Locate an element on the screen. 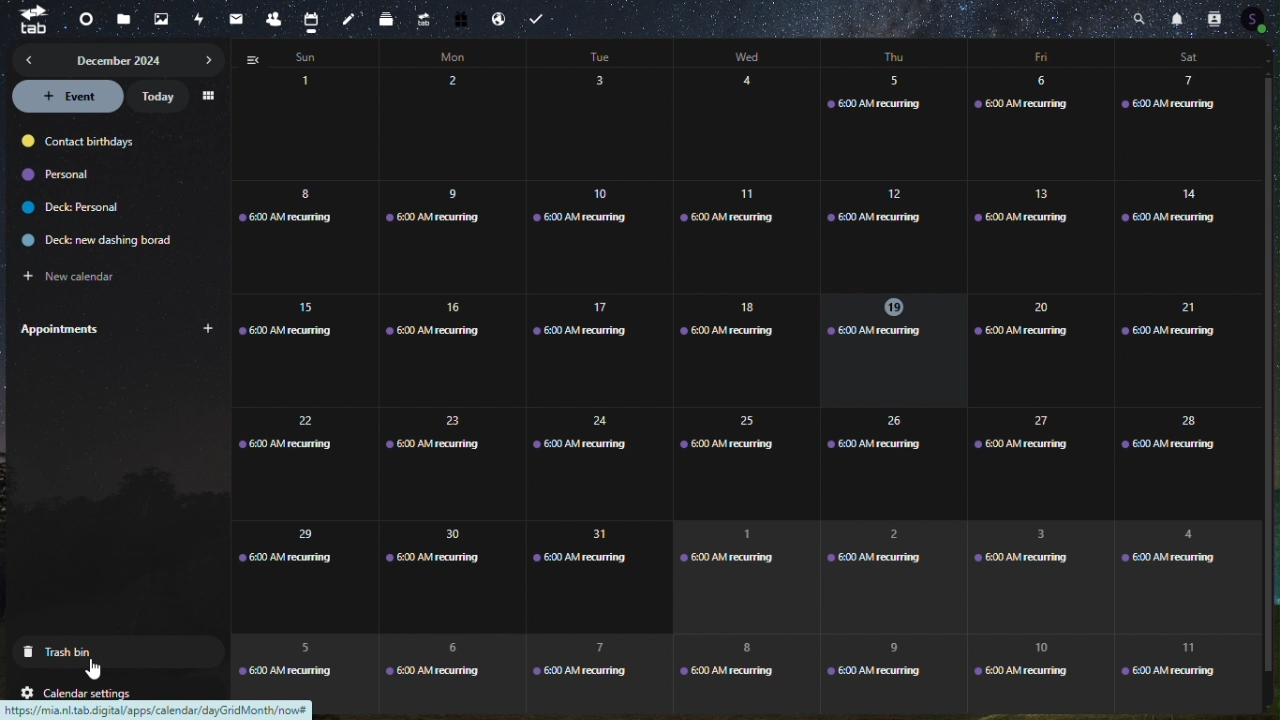  menu is located at coordinates (210, 95).